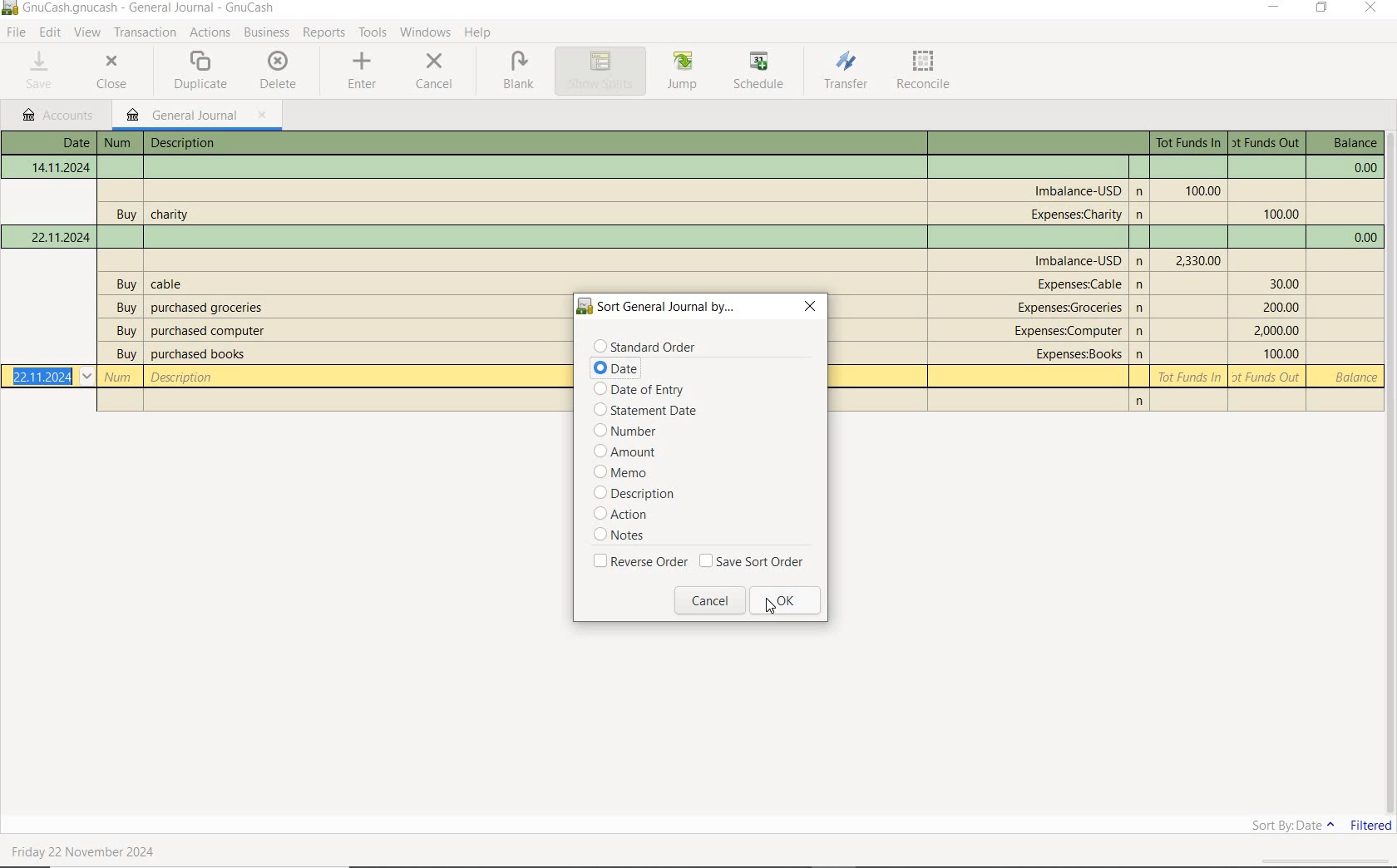 This screenshot has height=868, width=1397. Describe the element at coordinates (325, 33) in the screenshot. I see `REPORTS` at that location.